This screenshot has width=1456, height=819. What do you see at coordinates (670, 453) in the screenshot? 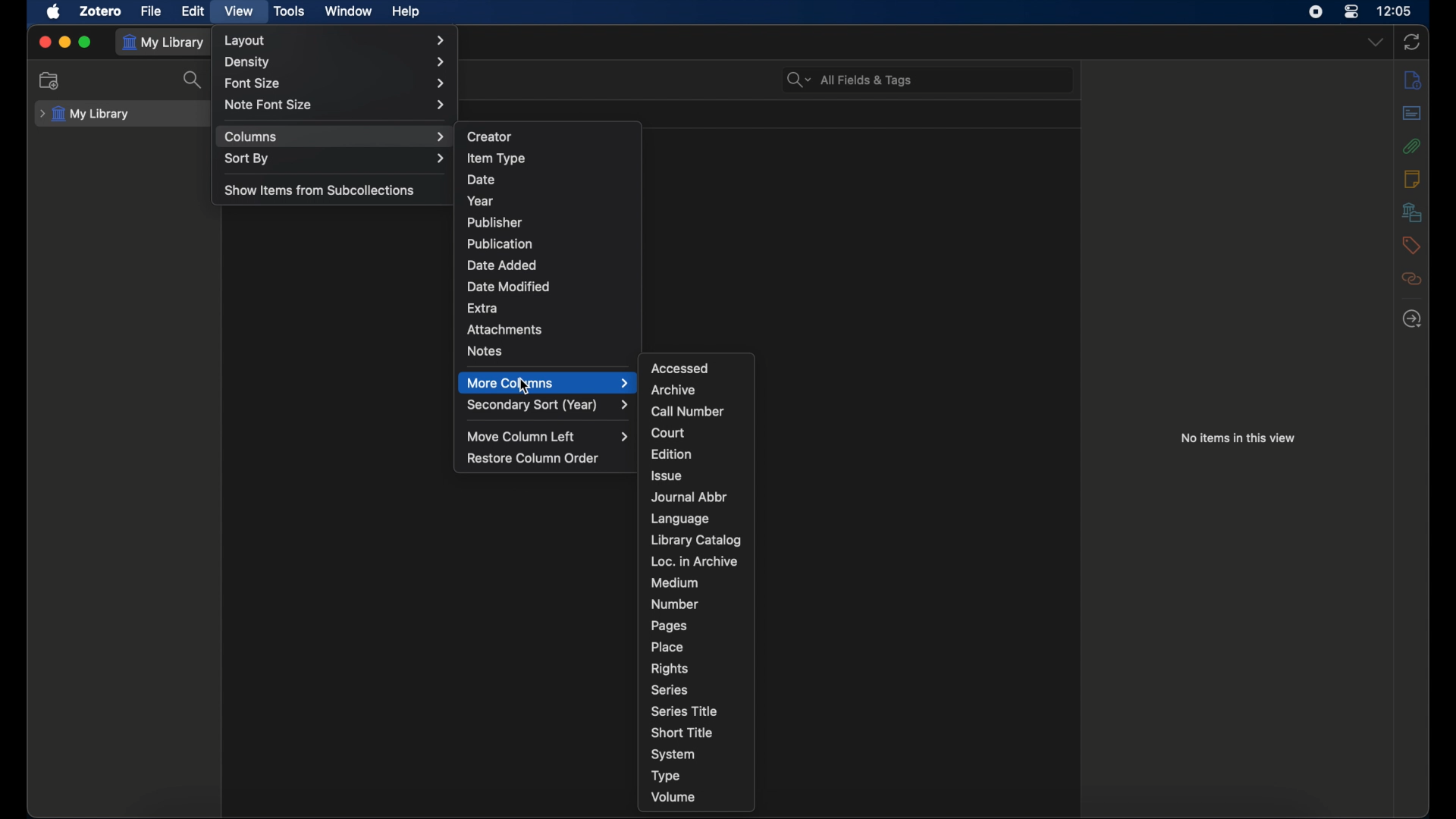
I see `edition` at bounding box center [670, 453].